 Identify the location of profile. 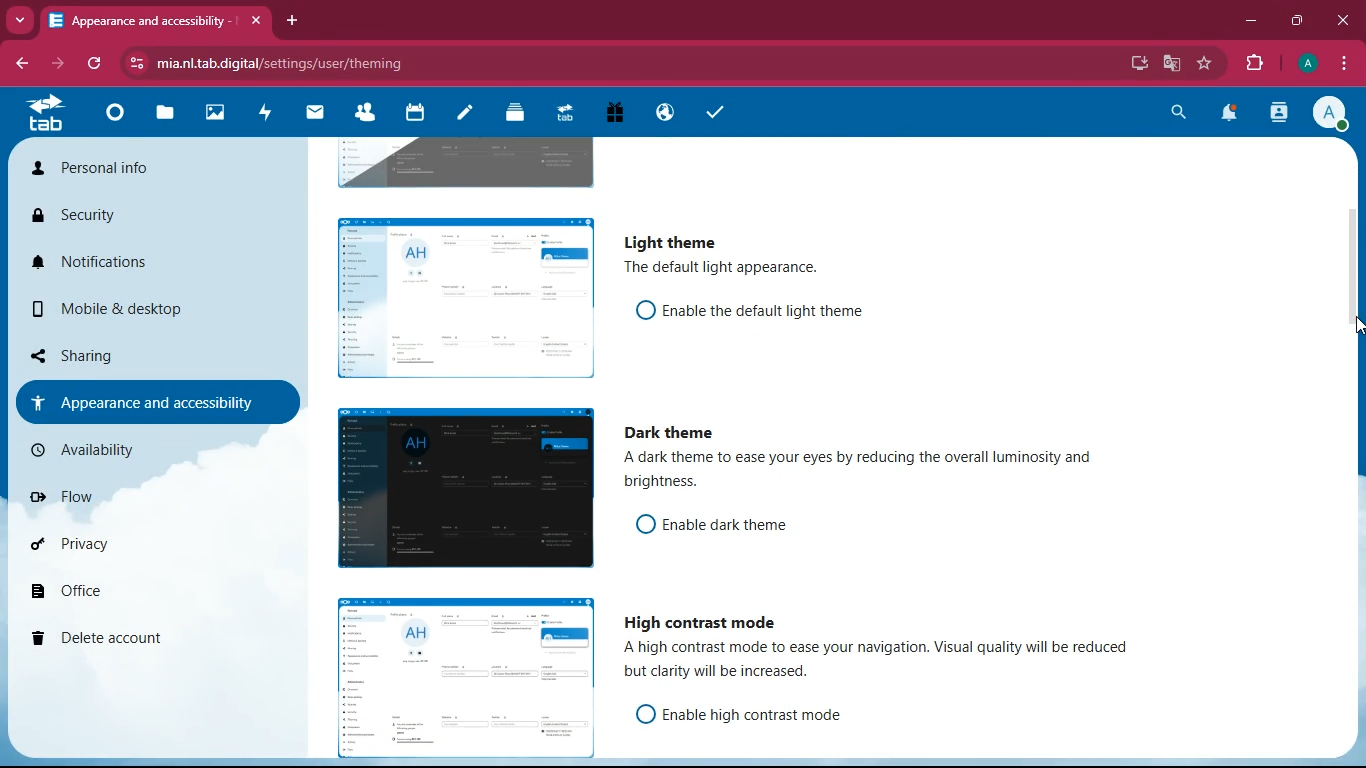
(1310, 64).